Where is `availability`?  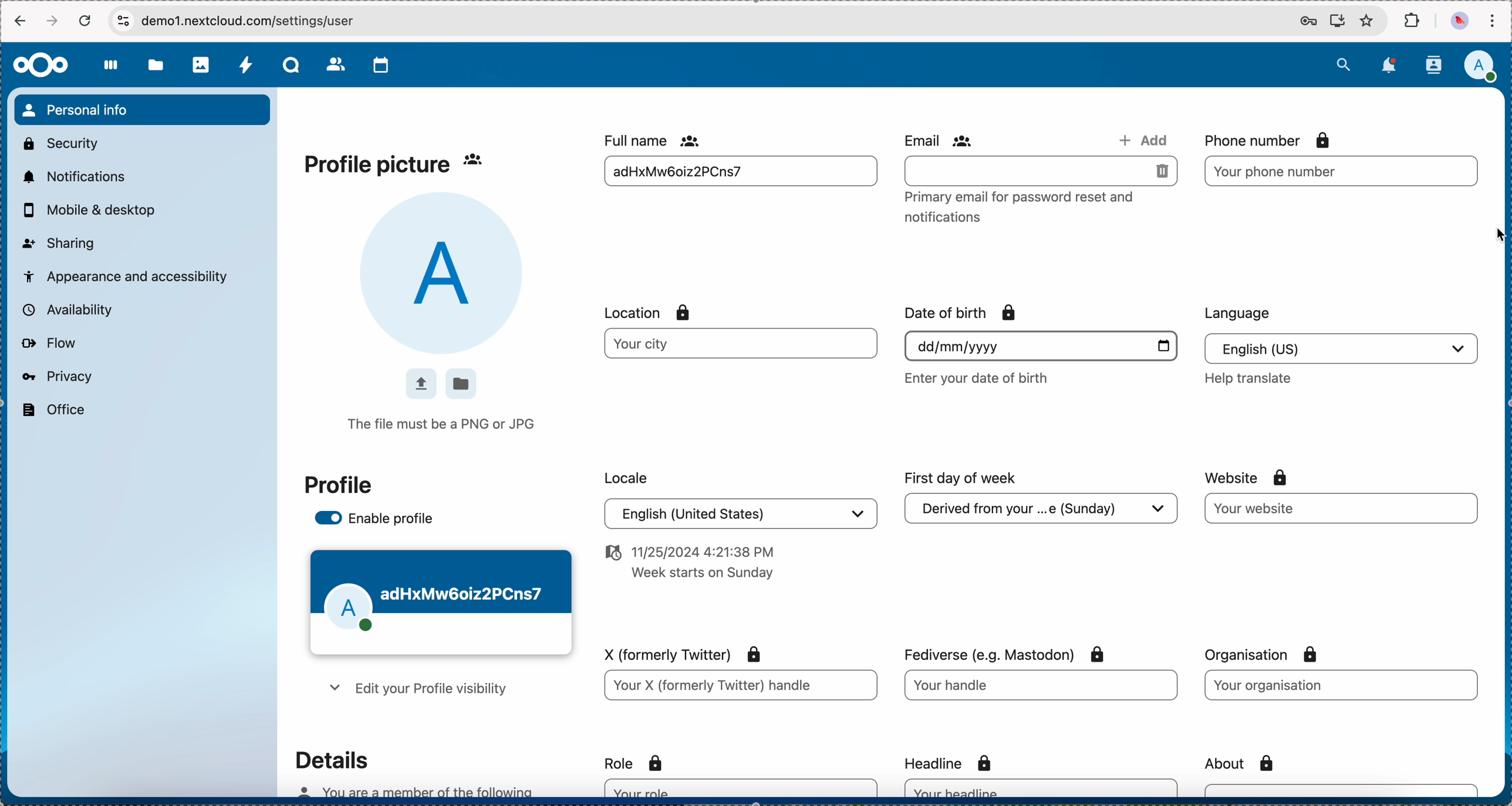
availability is located at coordinates (65, 309).